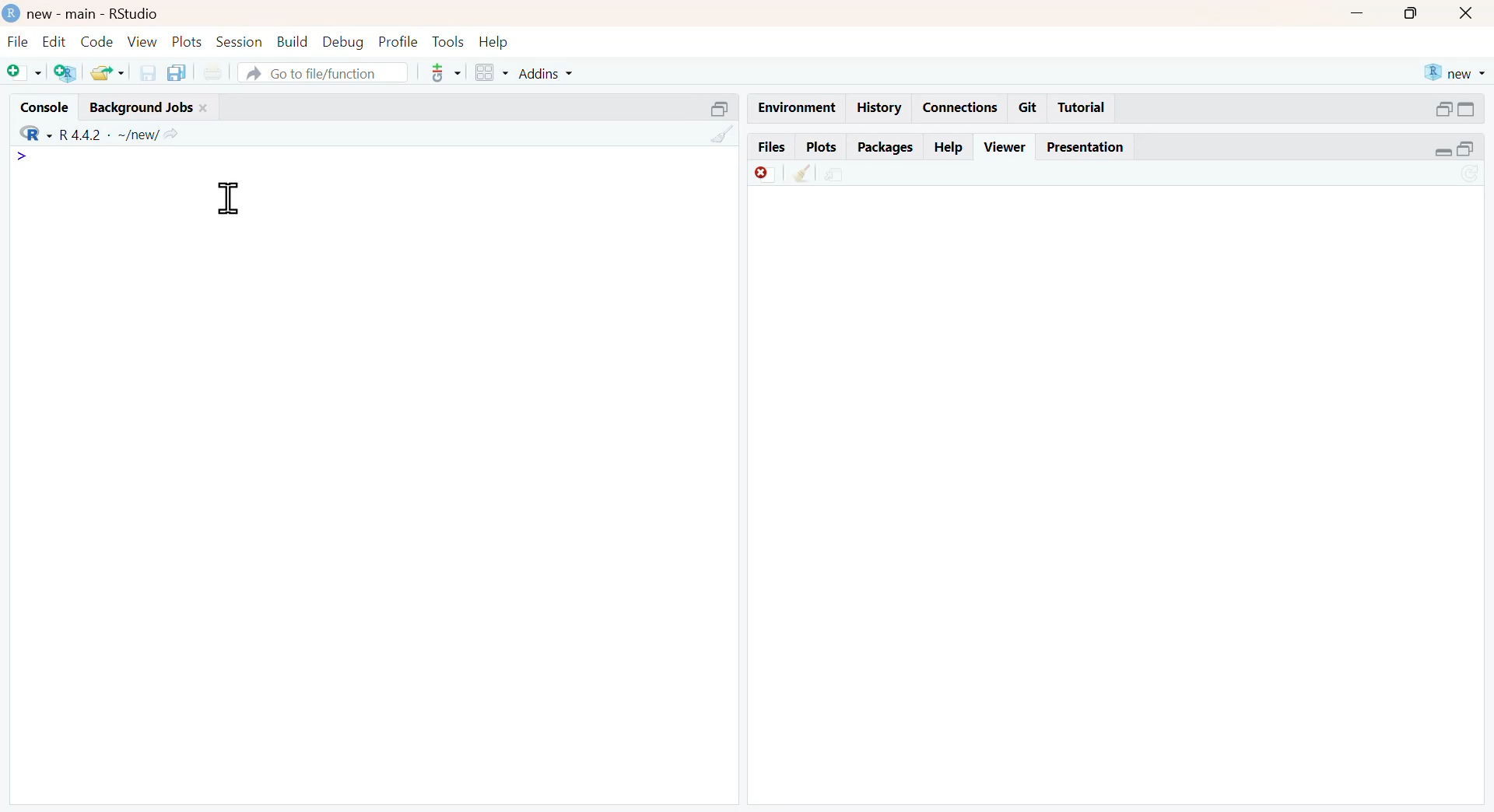  Describe the element at coordinates (44, 107) in the screenshot. I see `console` at that location.